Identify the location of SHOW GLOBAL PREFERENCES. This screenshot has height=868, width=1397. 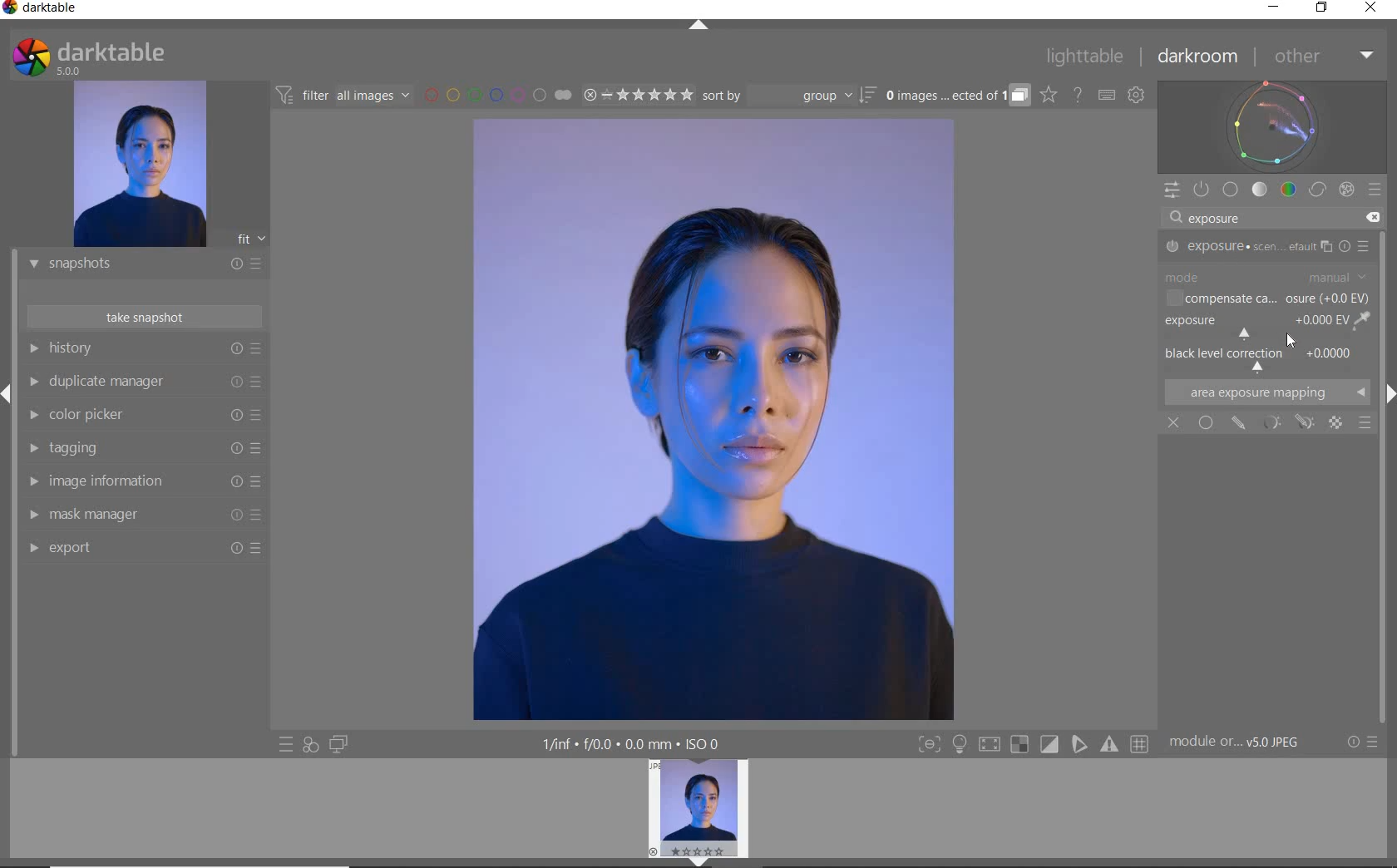
(1136, 96).